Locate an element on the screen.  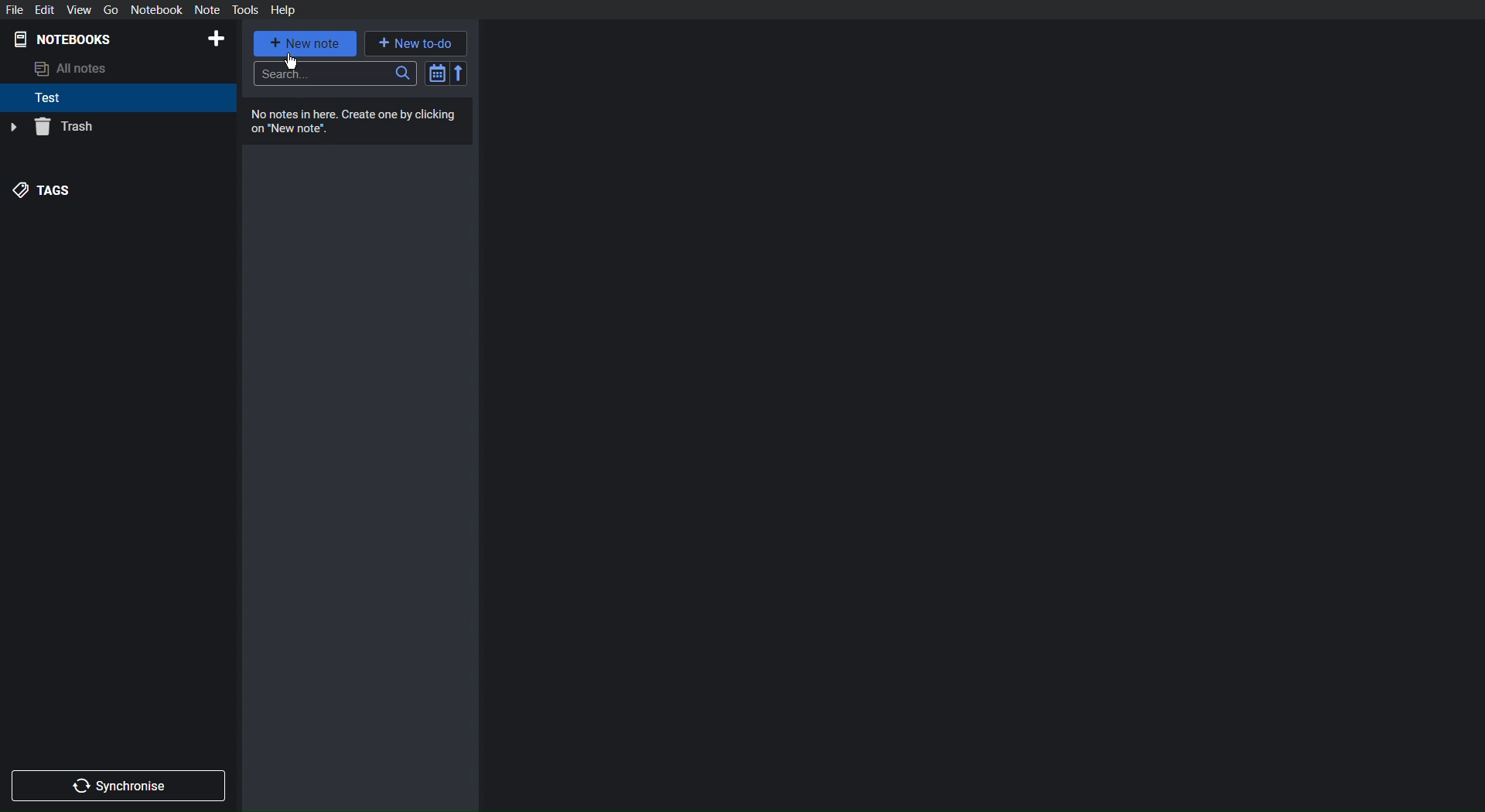
No notes in here. Create one by clicking on "New note" is located at coordinates (357, 121).